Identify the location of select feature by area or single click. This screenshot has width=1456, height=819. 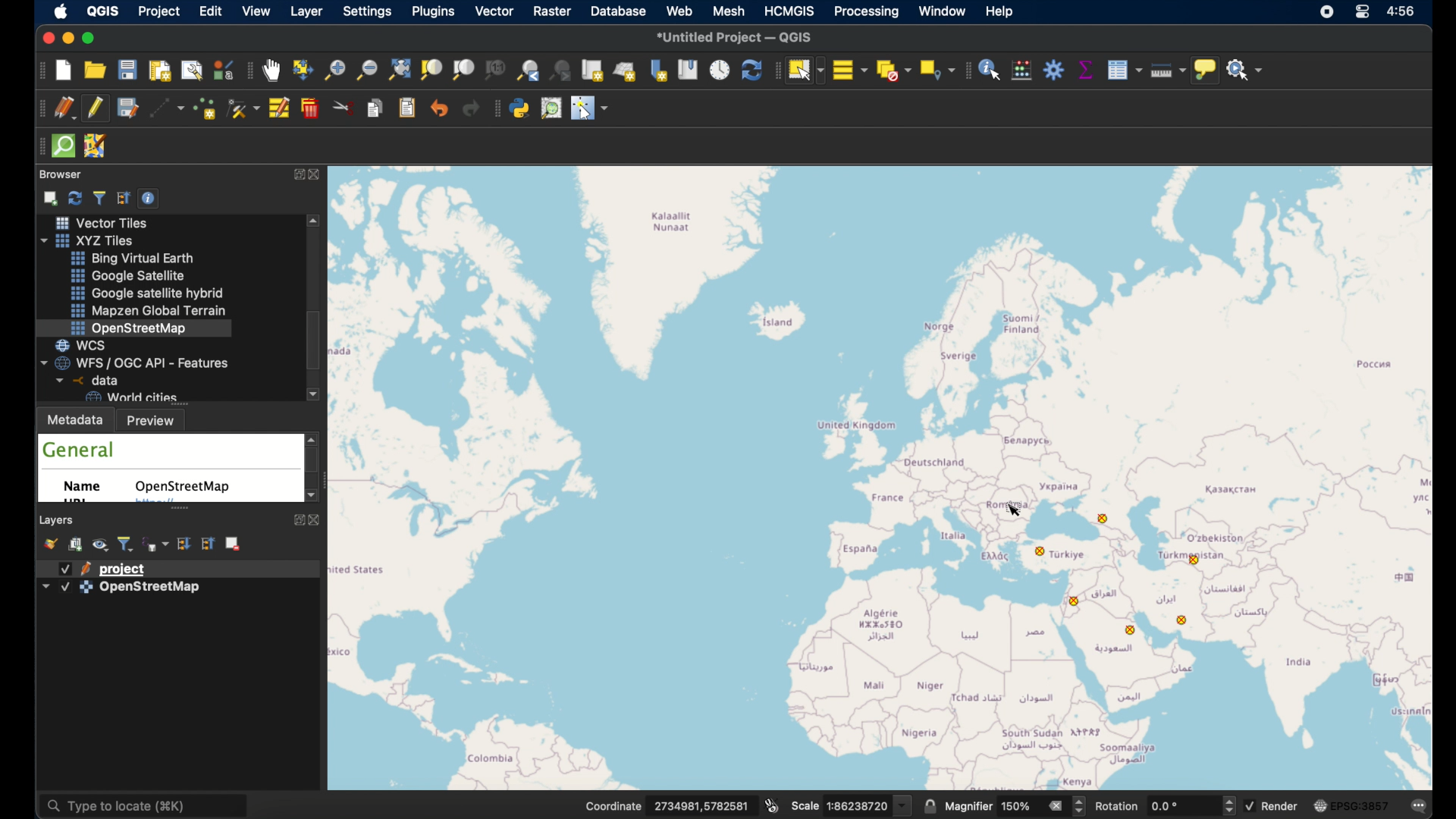
(805, 69).